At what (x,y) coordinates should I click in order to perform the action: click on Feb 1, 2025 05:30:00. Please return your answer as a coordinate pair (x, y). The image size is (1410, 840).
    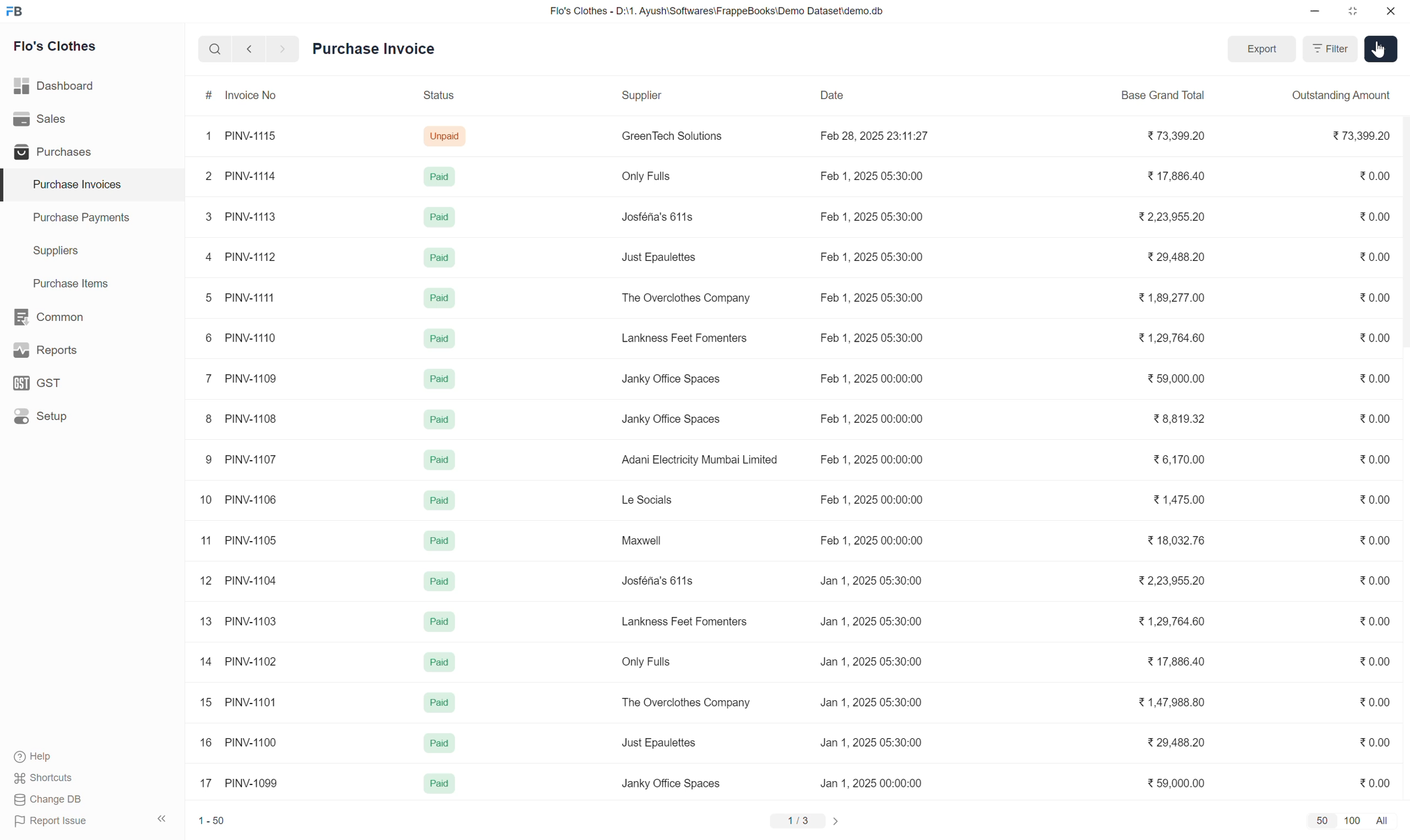
    Looking at the image, I should click on (877, 175).